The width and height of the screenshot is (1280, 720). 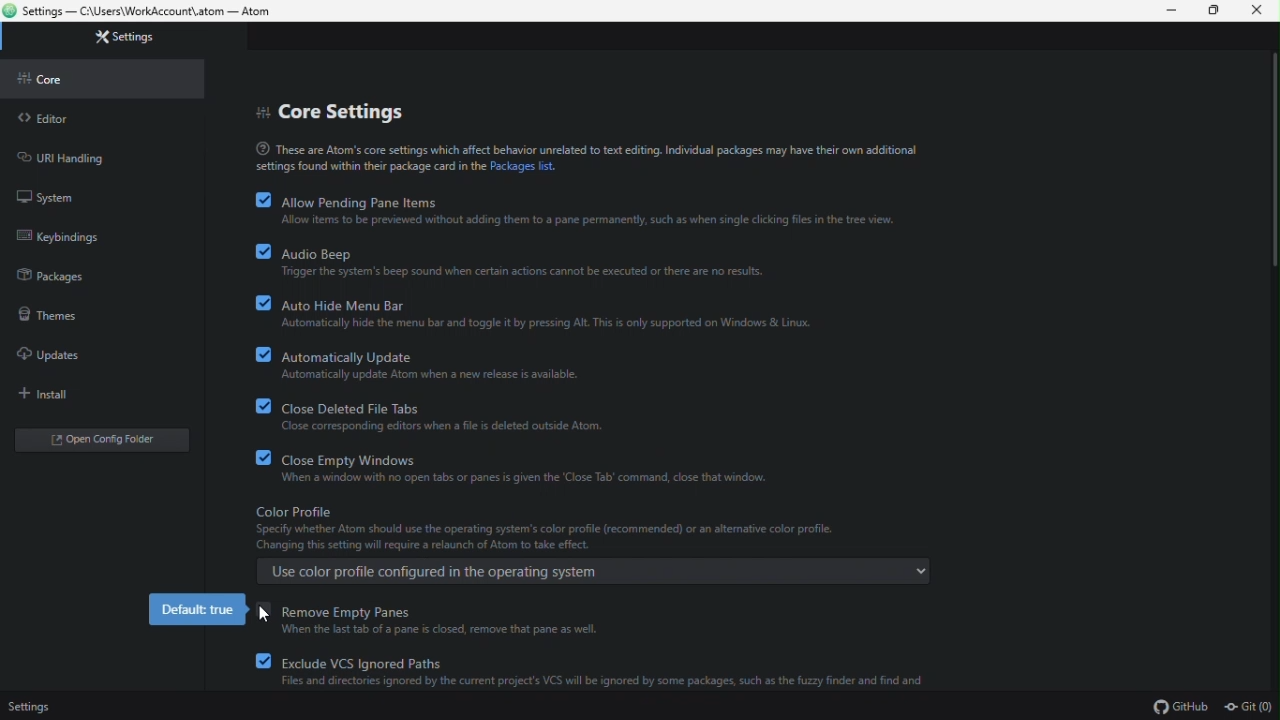 What do you see at coordinates (257, 405) in the screenshot?
I see `checkbox` at bounding box center [257, 405].